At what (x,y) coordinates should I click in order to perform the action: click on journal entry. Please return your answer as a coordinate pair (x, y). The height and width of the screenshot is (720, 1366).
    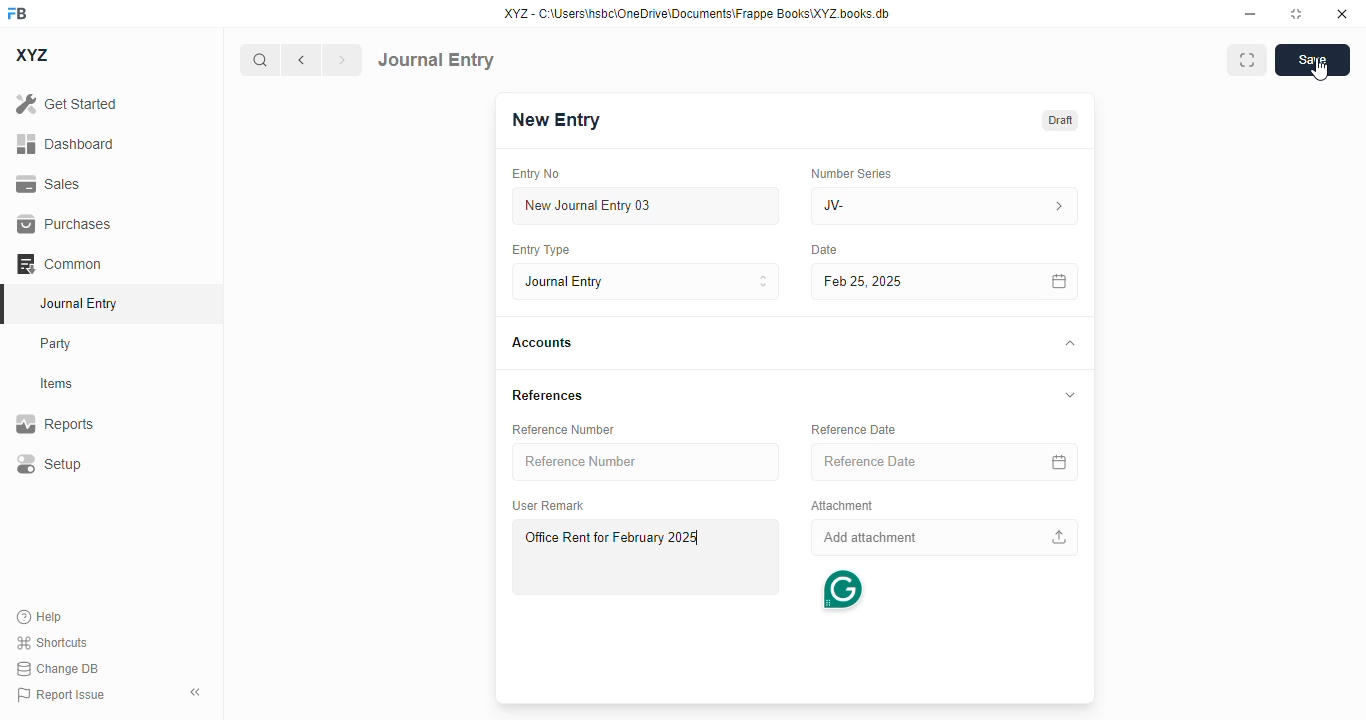
    Looking at the image, I should click on (436, 60).